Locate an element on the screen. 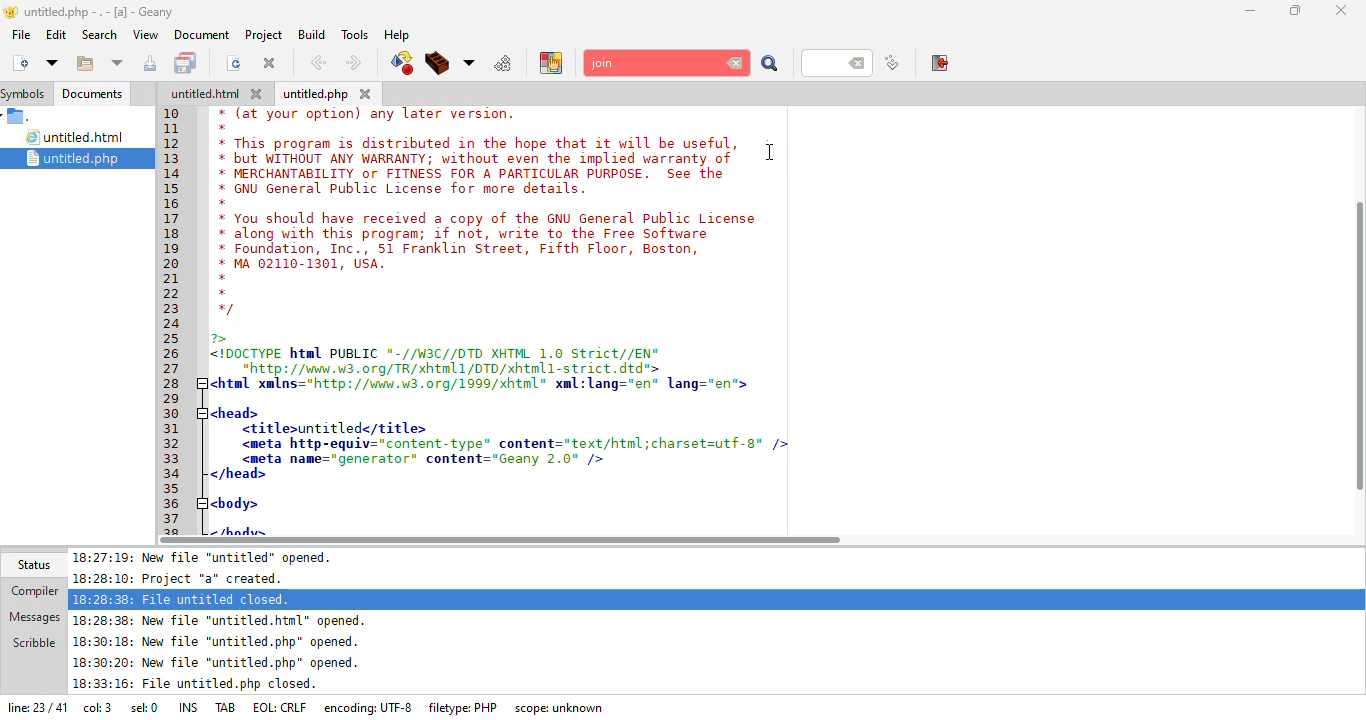  26 is located at coordinates (173, 354).